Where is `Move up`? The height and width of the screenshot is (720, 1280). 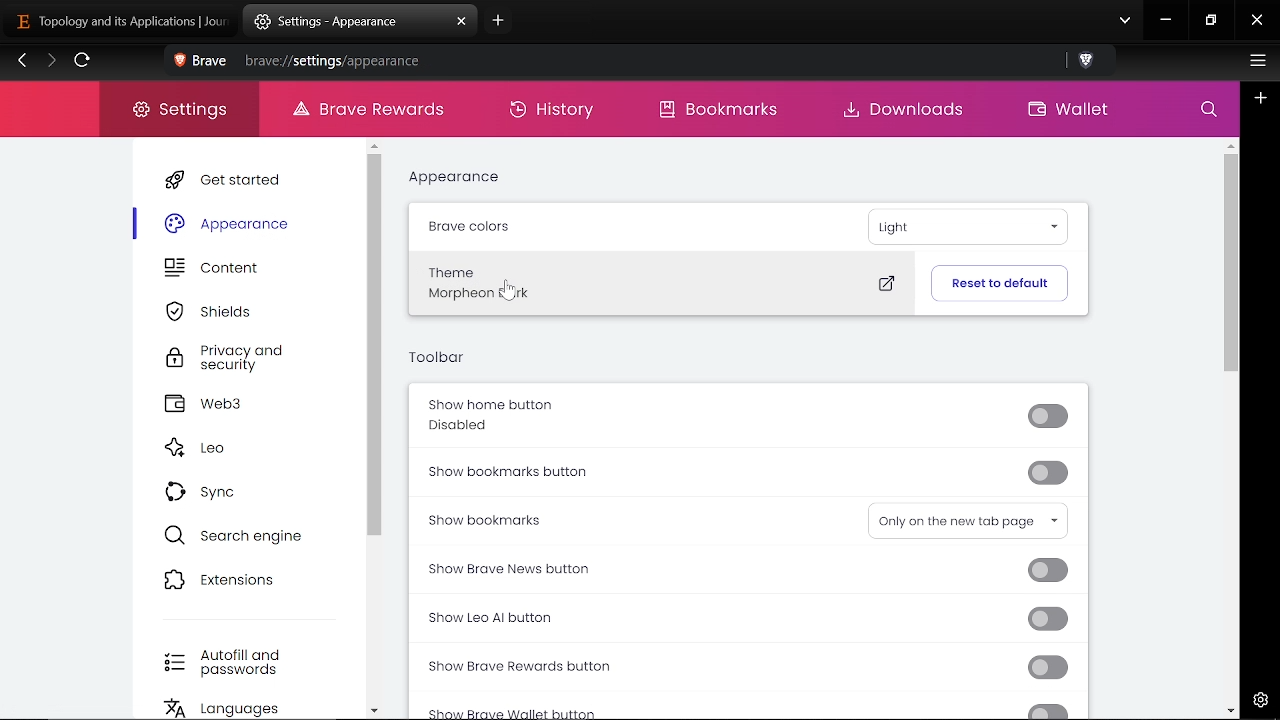 Move up is located at coordinates (374, 147).